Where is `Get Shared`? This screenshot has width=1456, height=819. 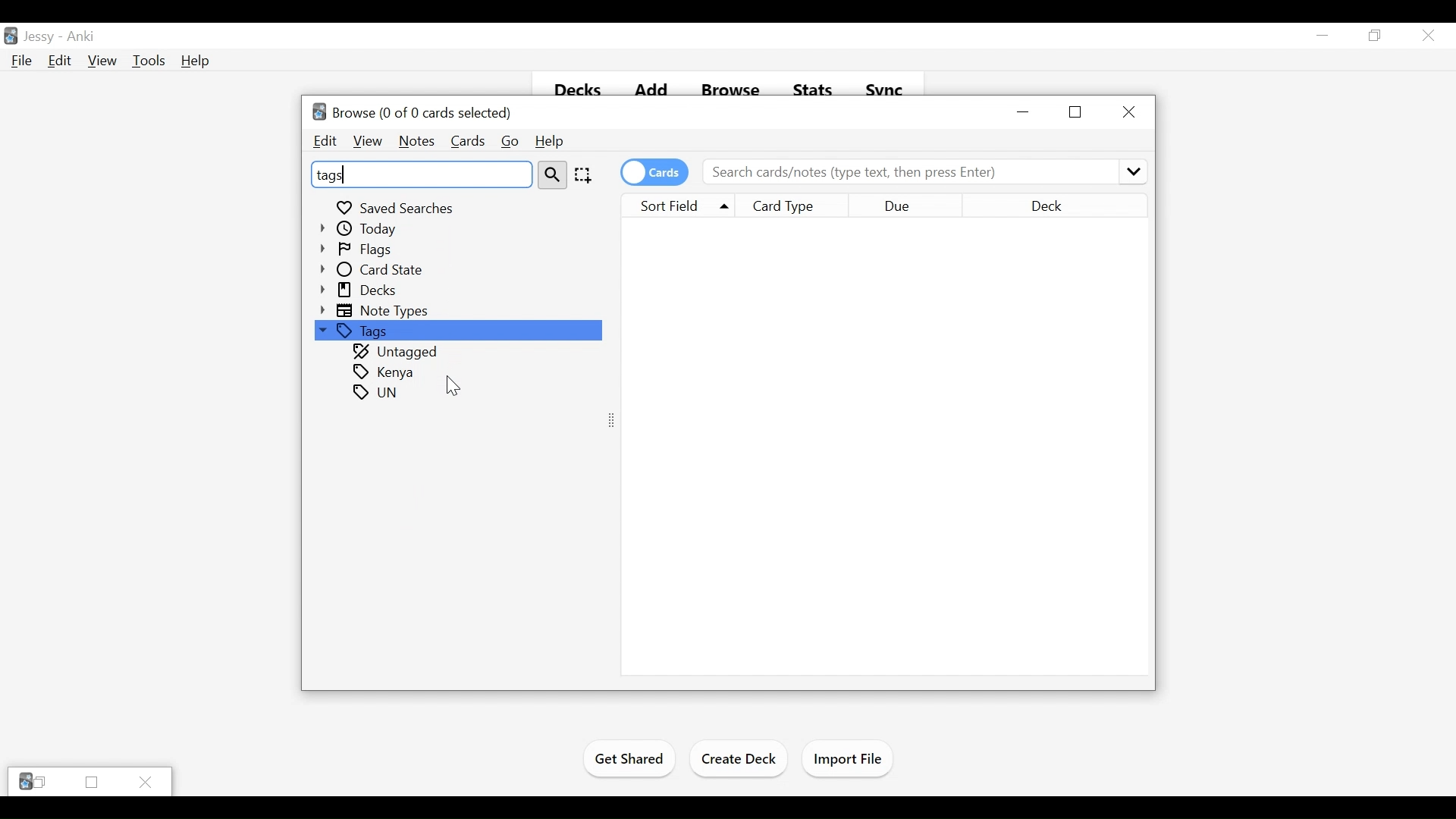
Get Shared is located at coordinates (629, 761).